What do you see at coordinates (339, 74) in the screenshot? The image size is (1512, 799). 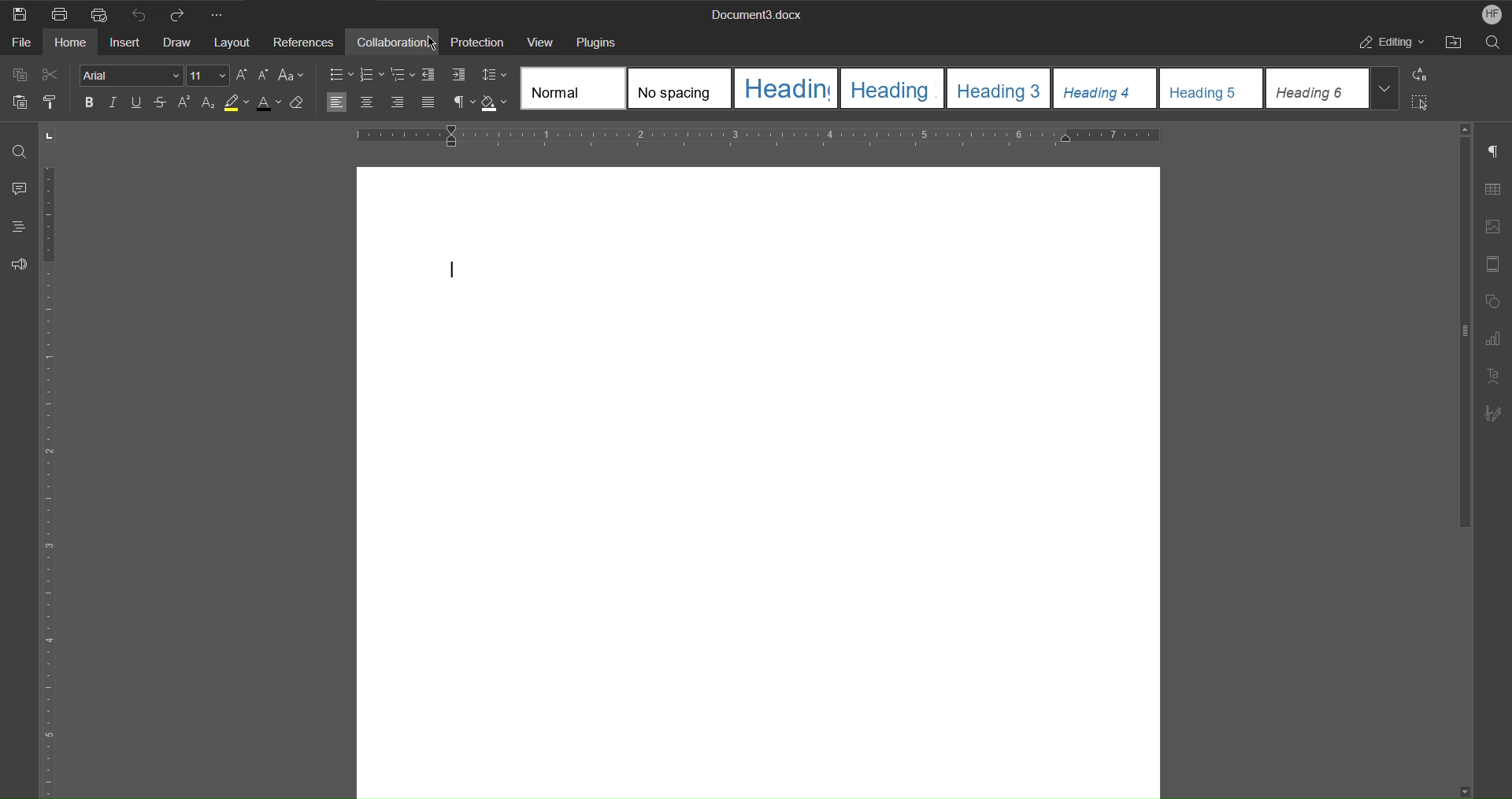 I see `Bullets` at bounding box center [339, 74].